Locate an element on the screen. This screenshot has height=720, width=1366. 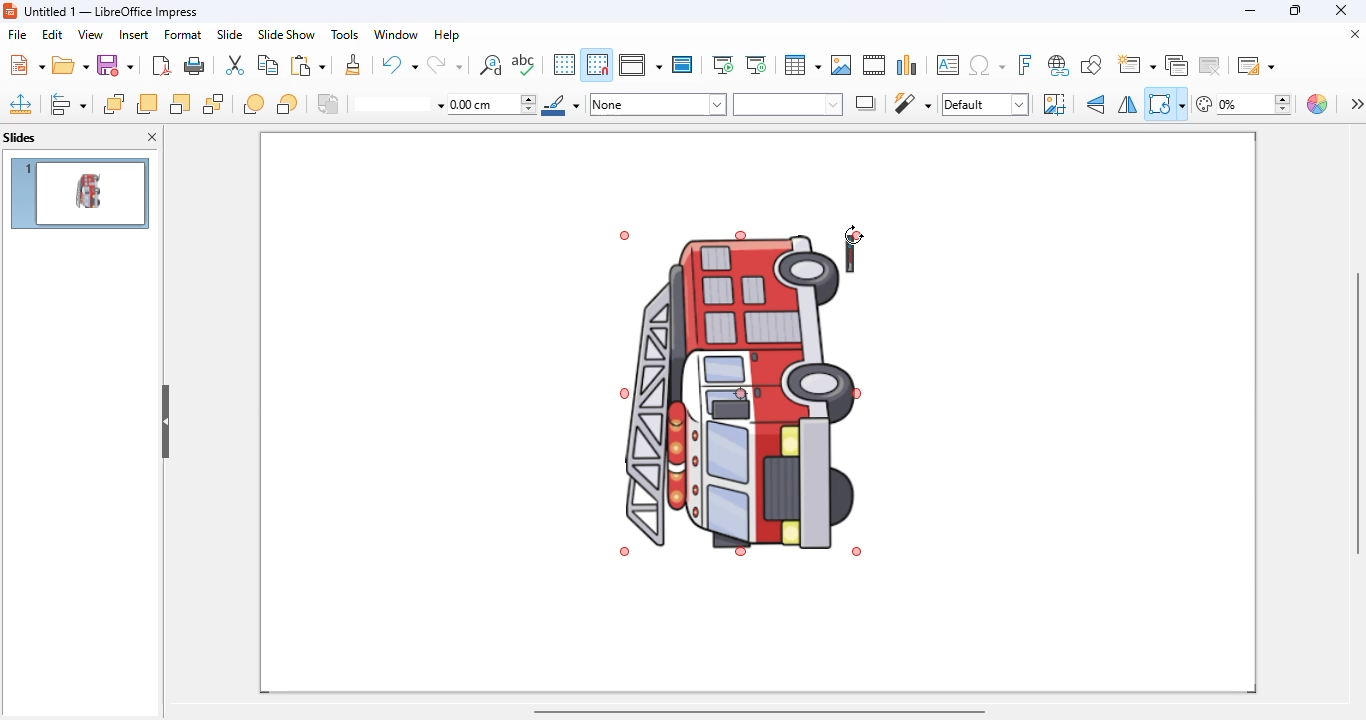
insert audio or video is located at coordinates (874, 65).